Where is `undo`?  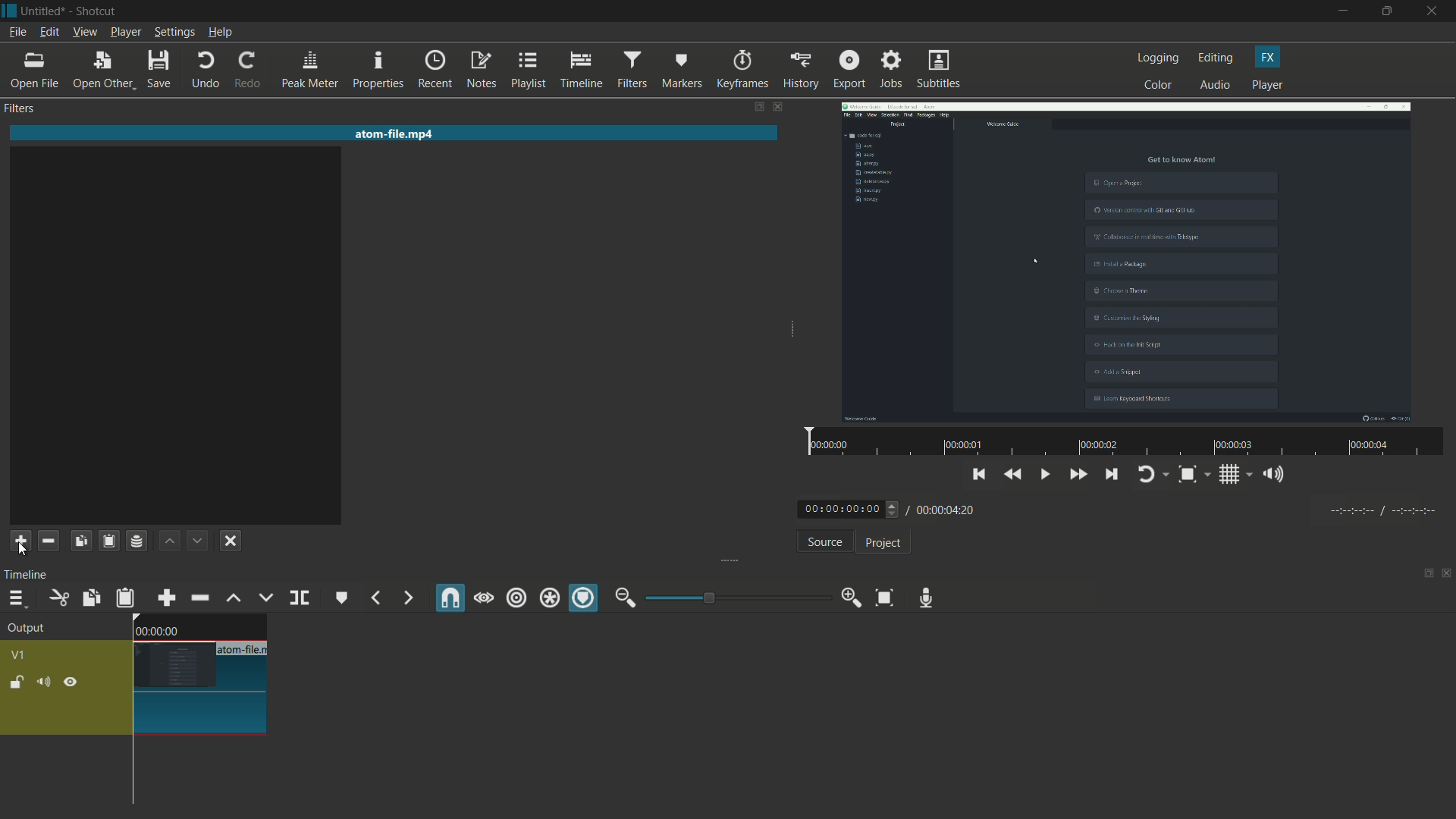
undo is located at coordinates (205, 70).